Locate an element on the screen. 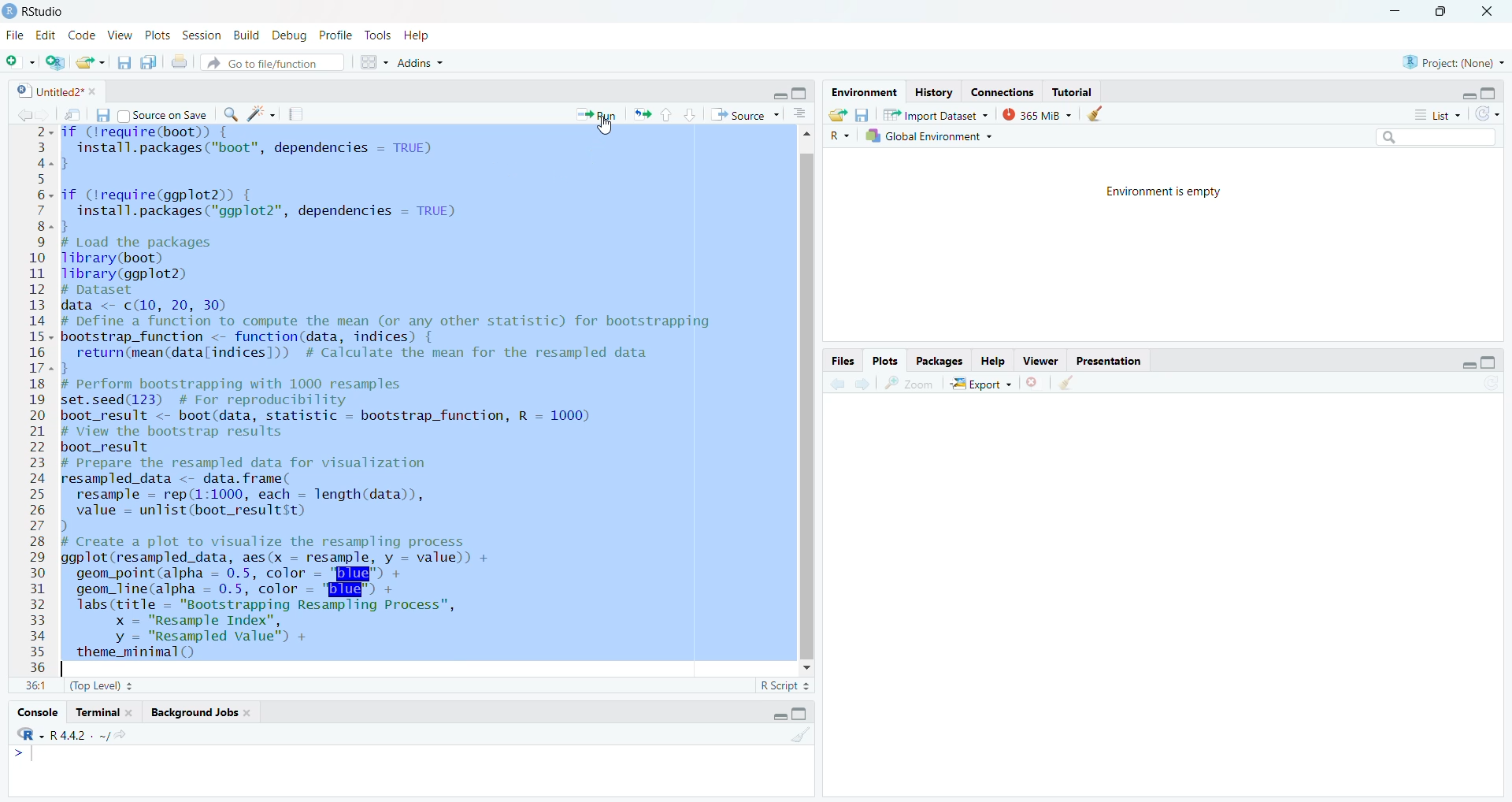 This screenshot has width=1512, height=802. show document outline is located at coordinates (805, 114).